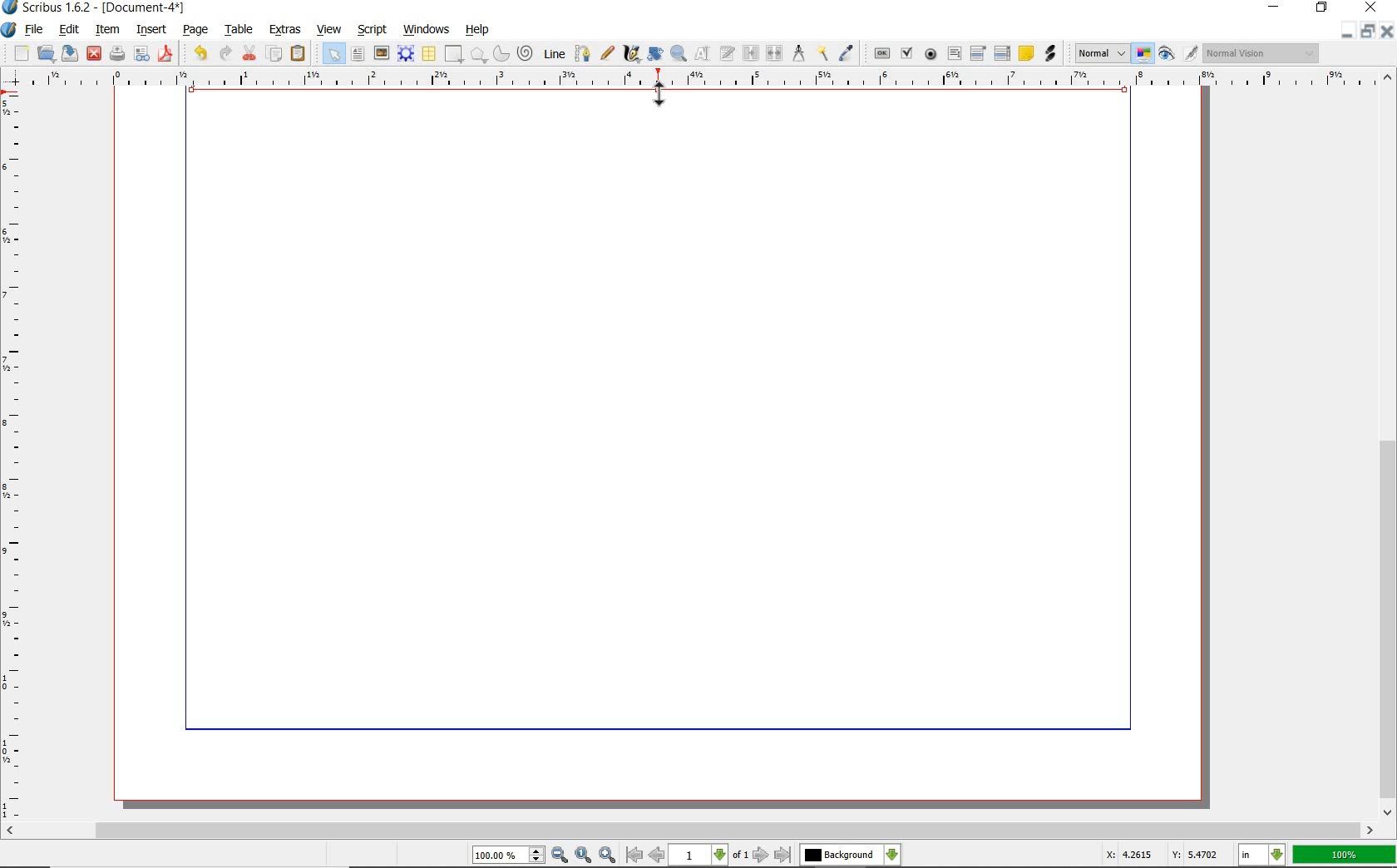 The width and height of the screenshot is (1397, 868). What do you see at coordinates (659, 94) in the screenshot?
I see `drag tool` at bounding box center [659, 94].